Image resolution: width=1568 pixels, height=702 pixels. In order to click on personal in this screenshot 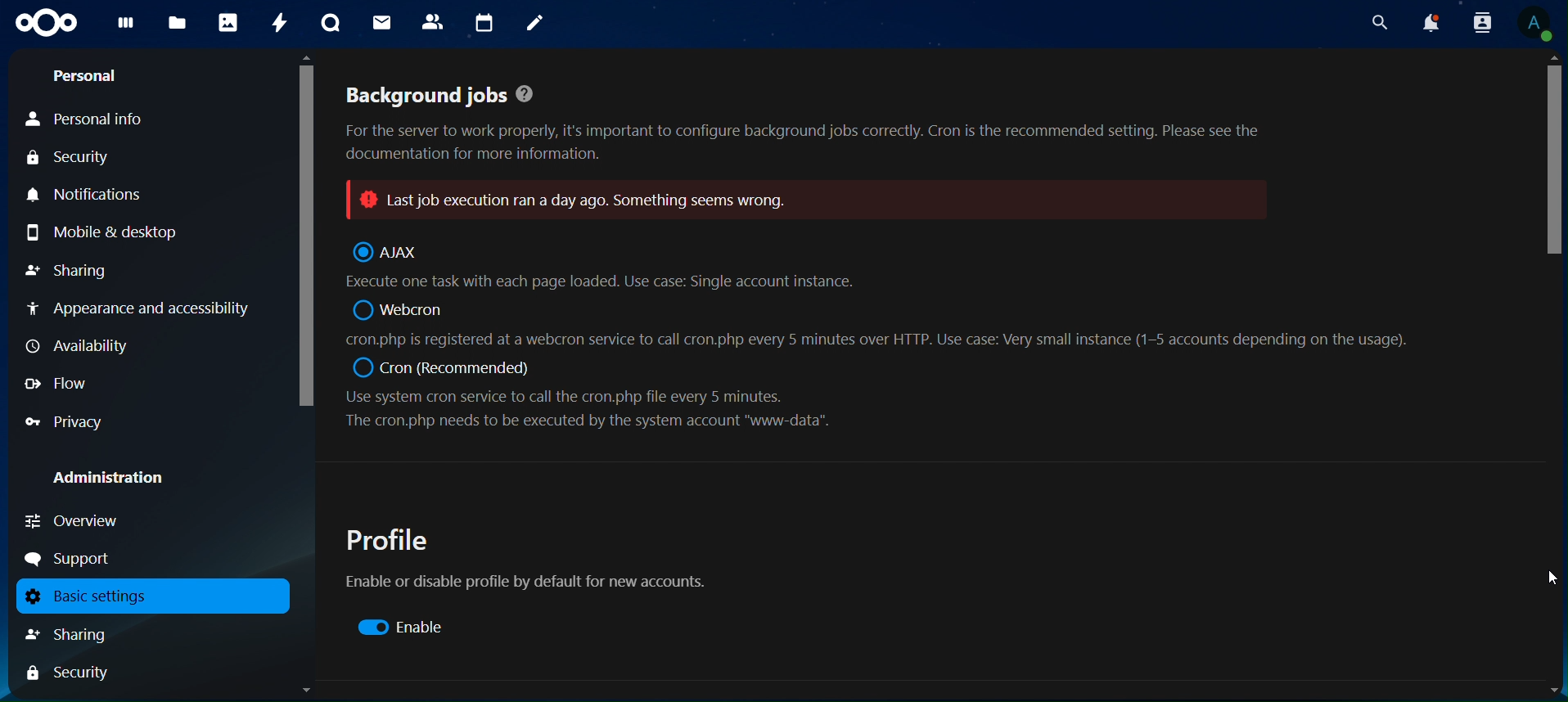, I will do `click(86, 79)`.